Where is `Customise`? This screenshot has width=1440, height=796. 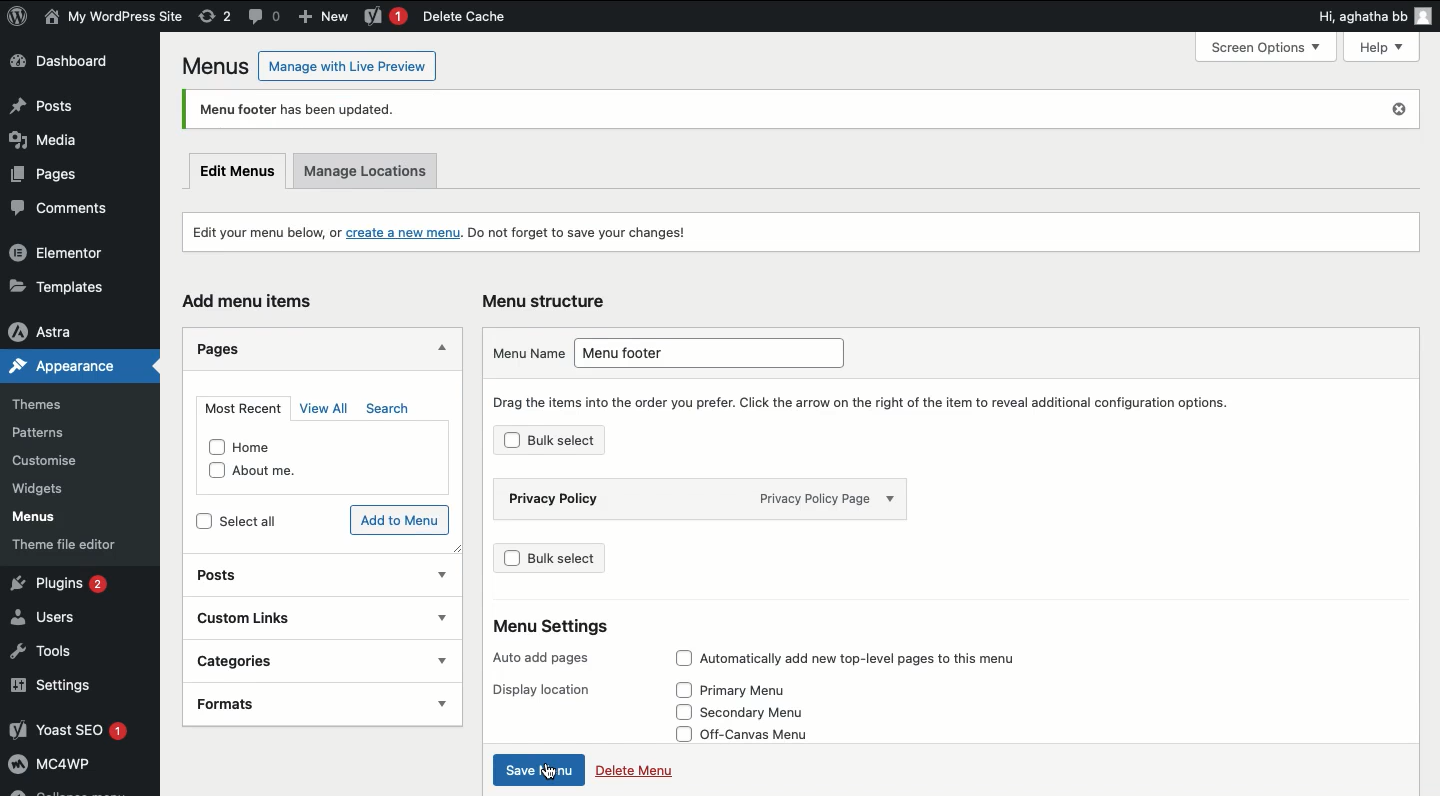
Customise is located at coordinates (43, 462).